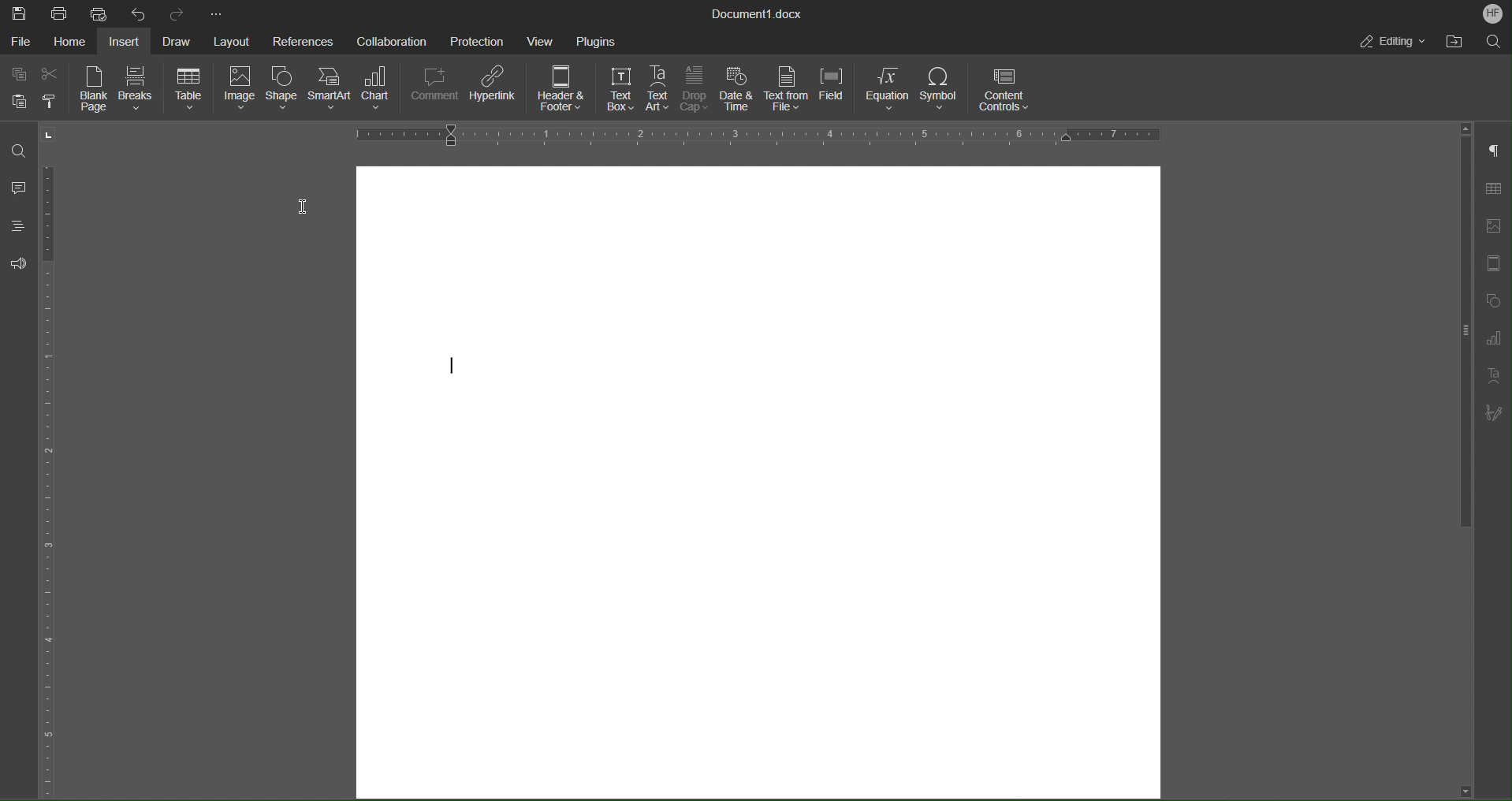 This screenshot has width=1512, height=801. What do you see at coordinates (18, 12) in the screenshot?
I see `Save` at bounding box center [18, 12].